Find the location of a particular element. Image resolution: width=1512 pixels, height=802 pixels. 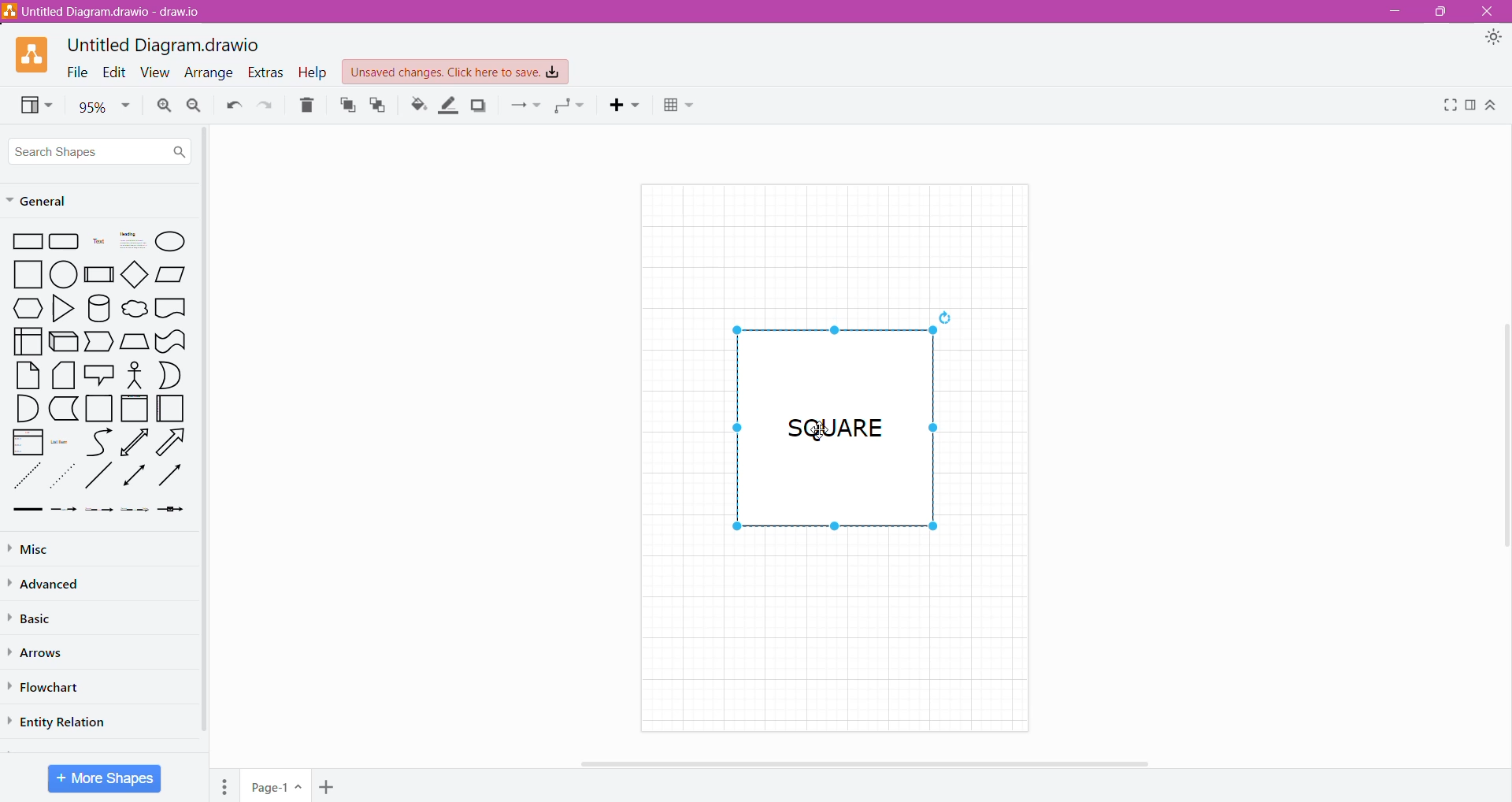

Text is located at coordinates (98, 243).